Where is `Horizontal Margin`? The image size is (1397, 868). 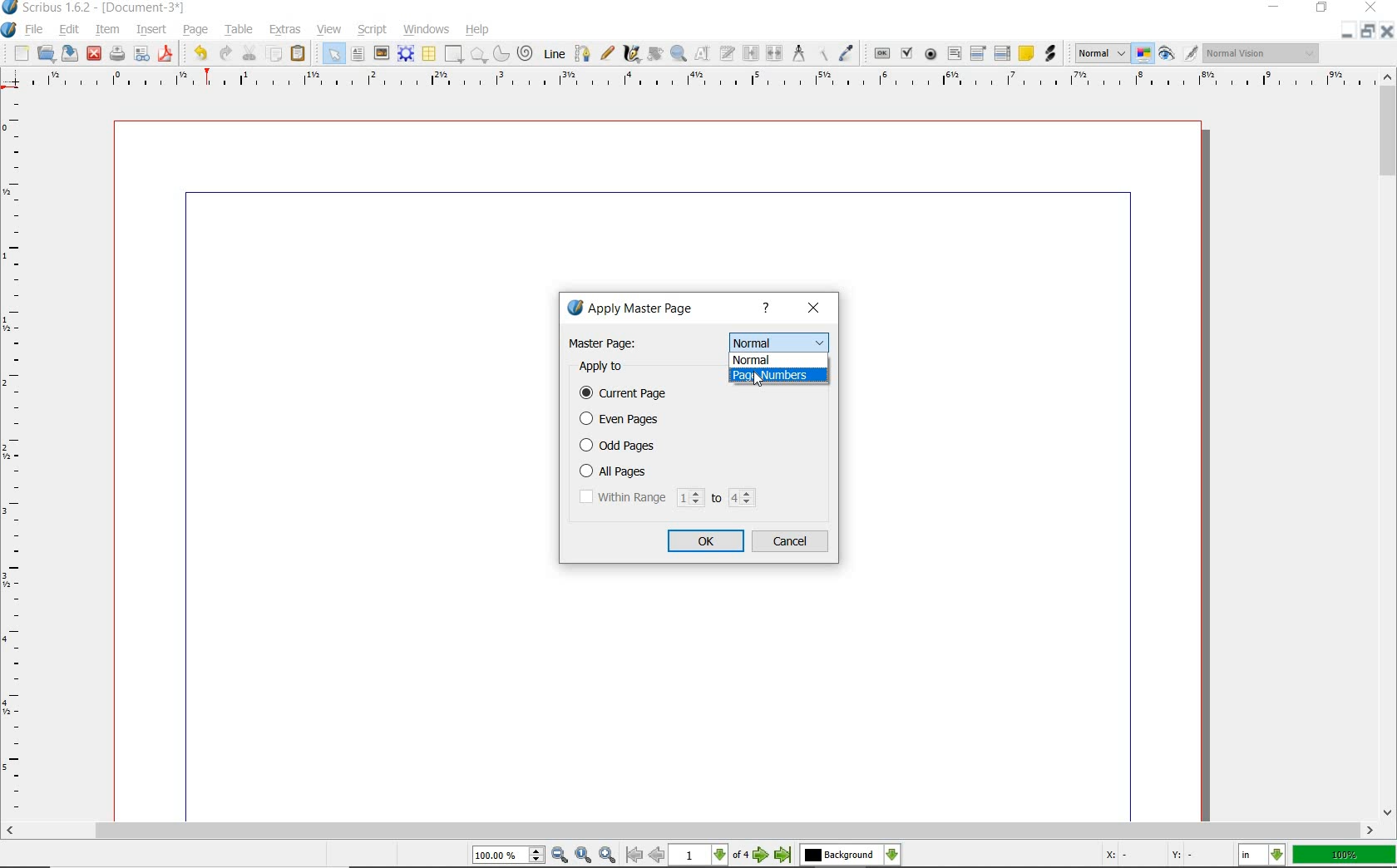
Horizontal Margin is located at coordinates (700, 81).